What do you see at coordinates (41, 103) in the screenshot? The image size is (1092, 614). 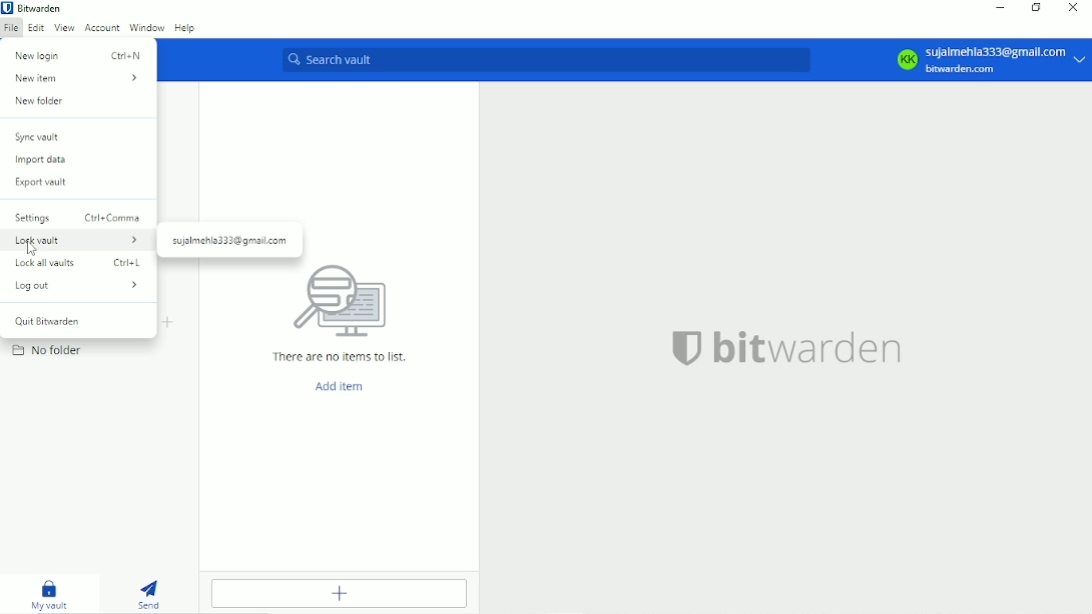 I see `New folder` at bounding box center [41, 103].